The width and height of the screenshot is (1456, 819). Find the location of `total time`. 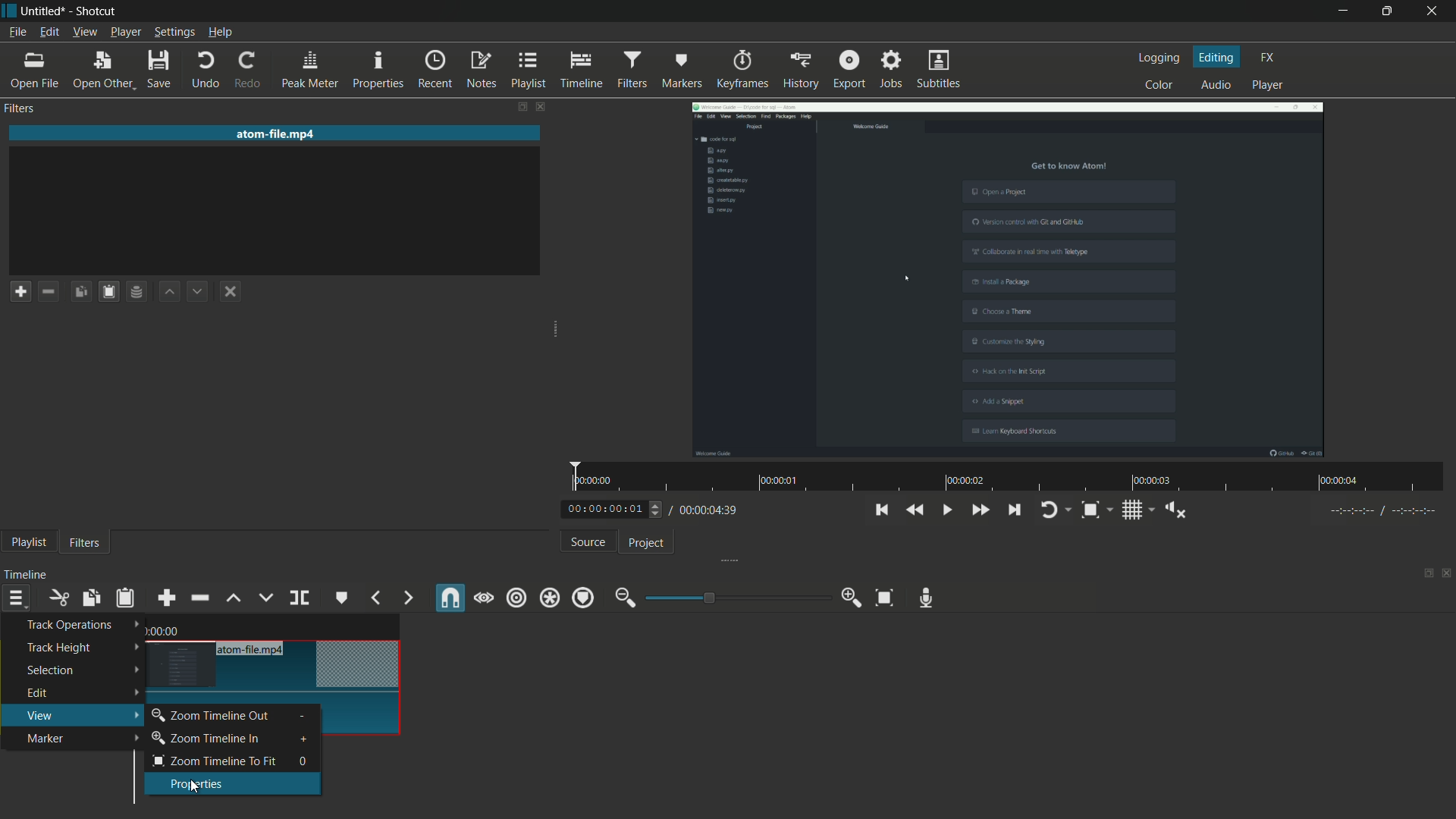

total time is located at coordinates (708, 510).